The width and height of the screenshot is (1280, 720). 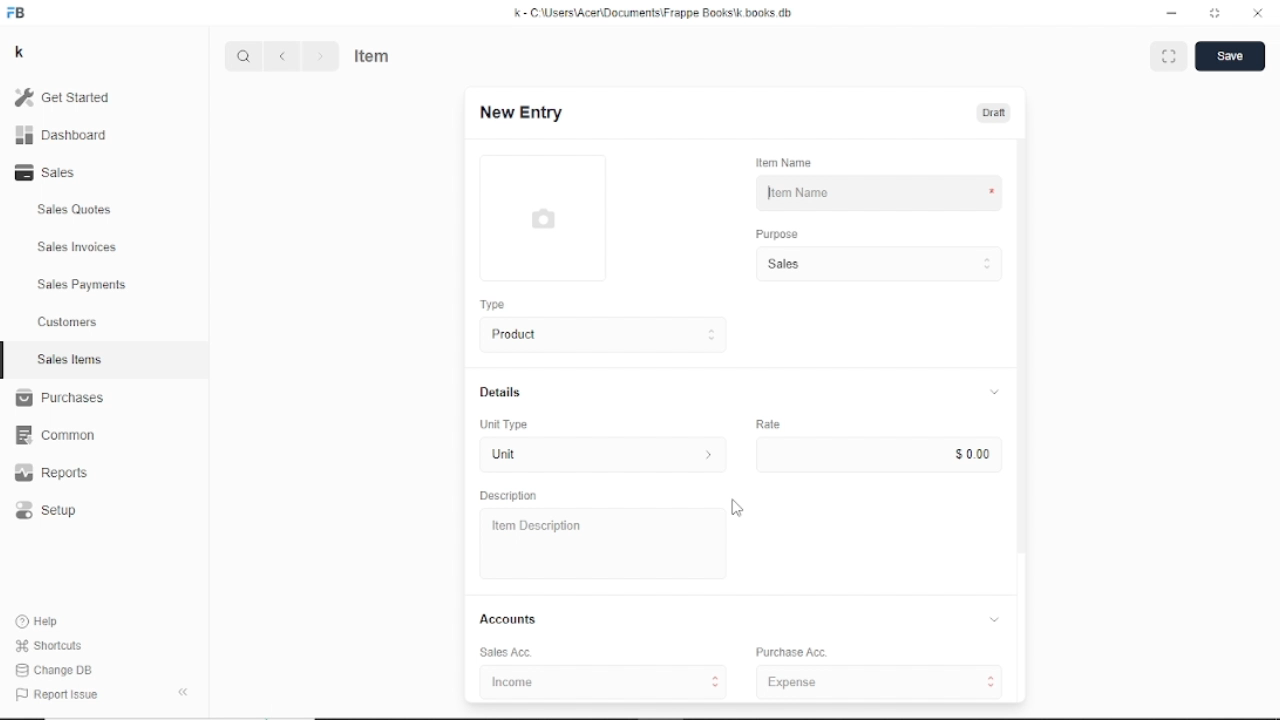 What do you see at coordinates (765, 194) in the screenshot?
I see `Cursor` at bounding box center [765, 194].